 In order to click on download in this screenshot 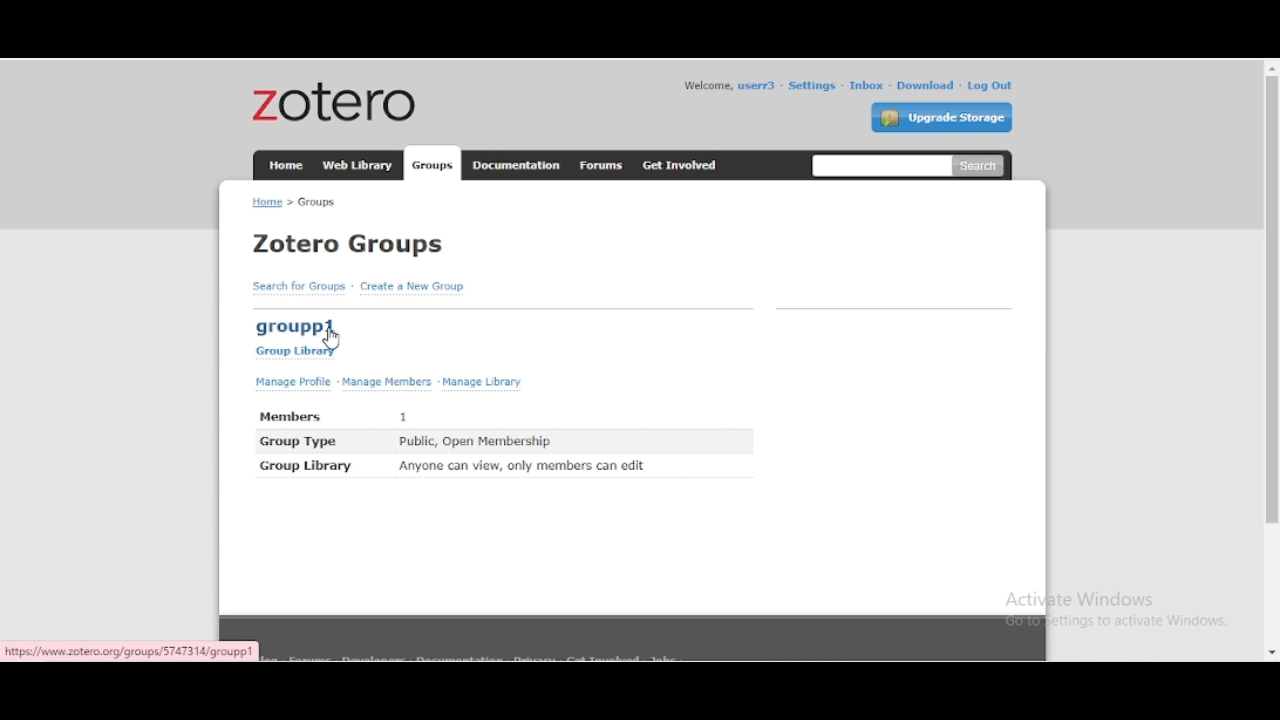, I will do `click(926, 86)`.